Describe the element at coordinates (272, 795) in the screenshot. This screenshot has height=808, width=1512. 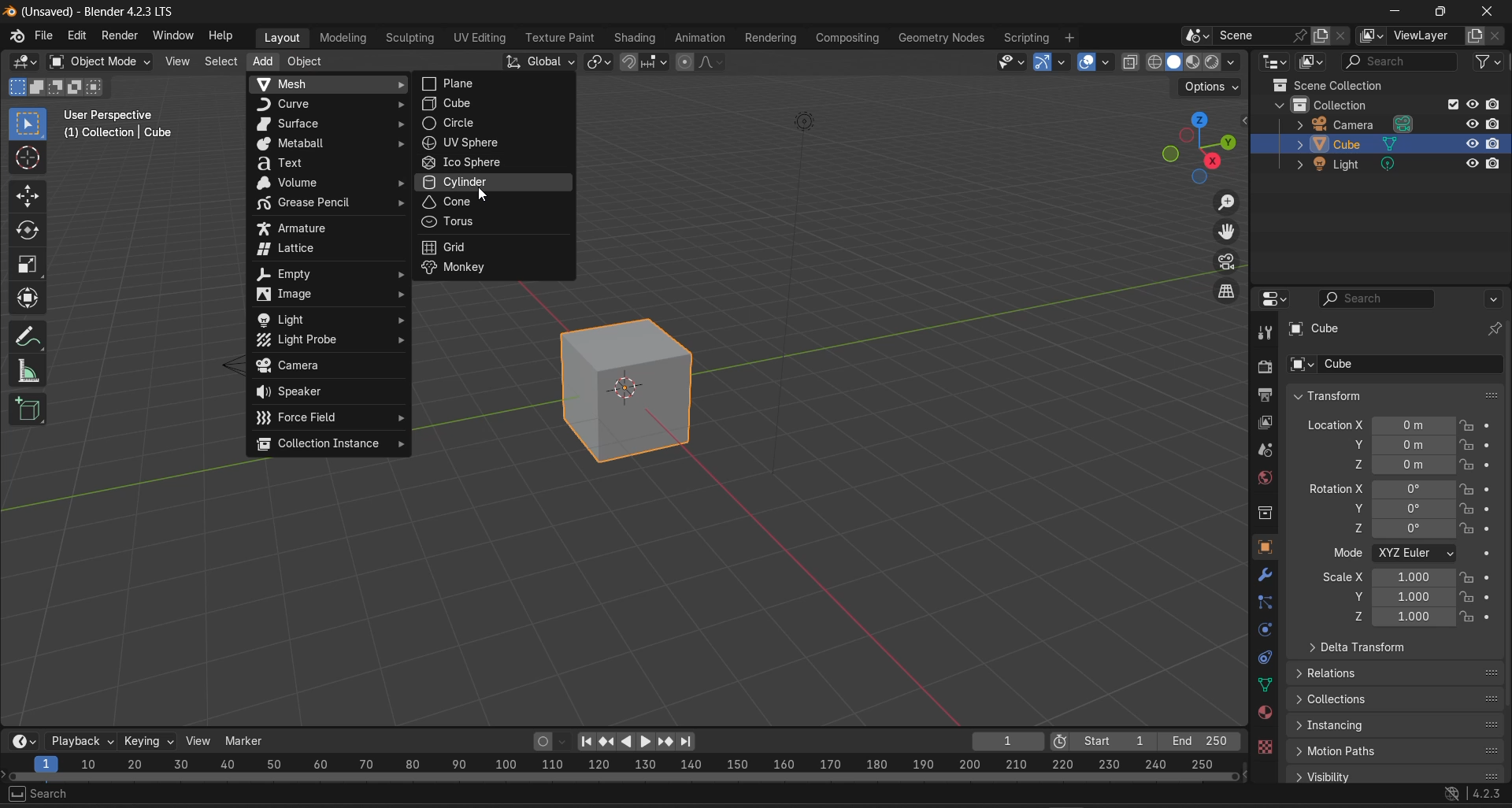
I see `rotate view` at that location.